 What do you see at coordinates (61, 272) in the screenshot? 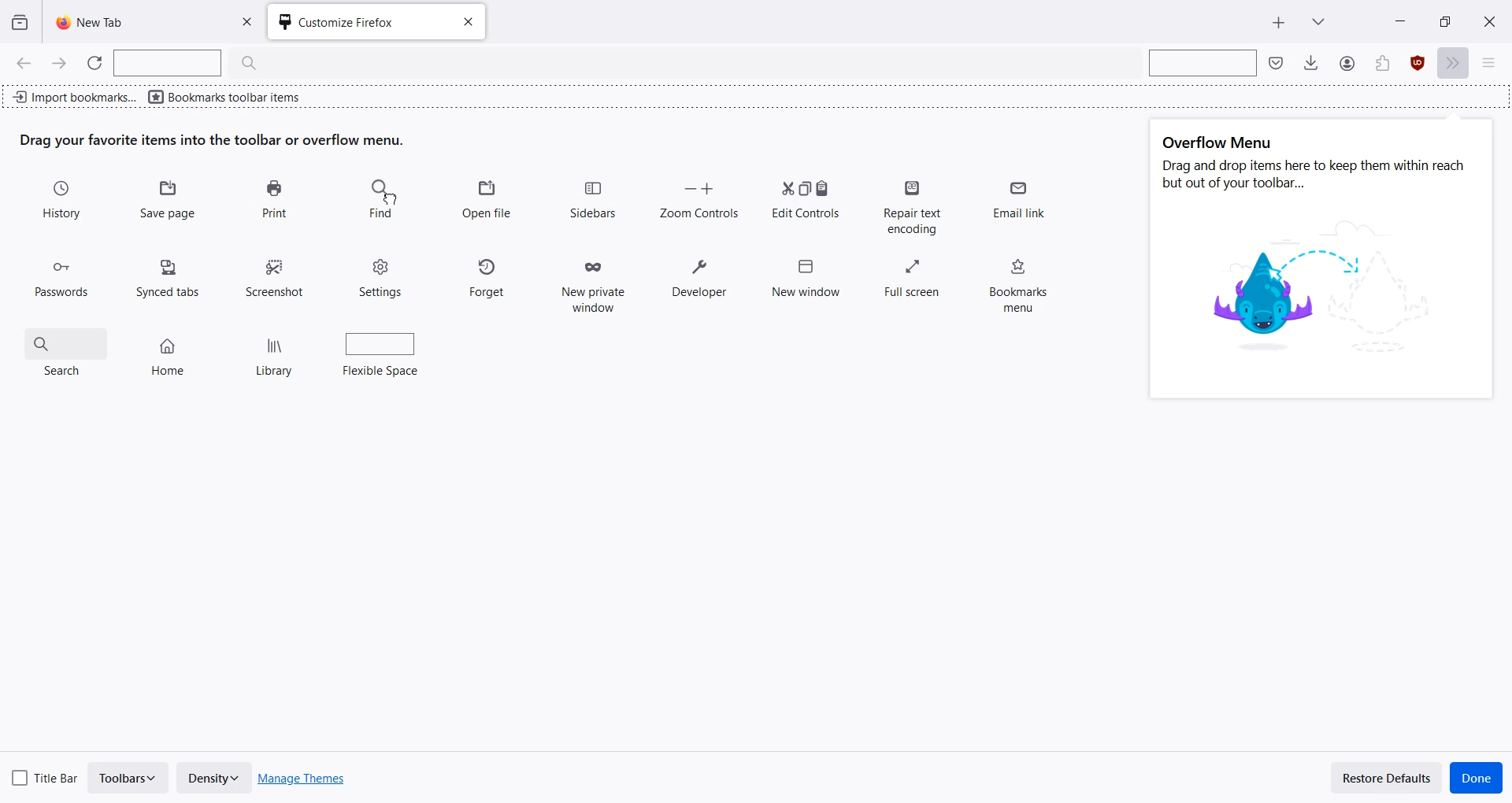
I see `Passwords` at bounding box center [61, 272].